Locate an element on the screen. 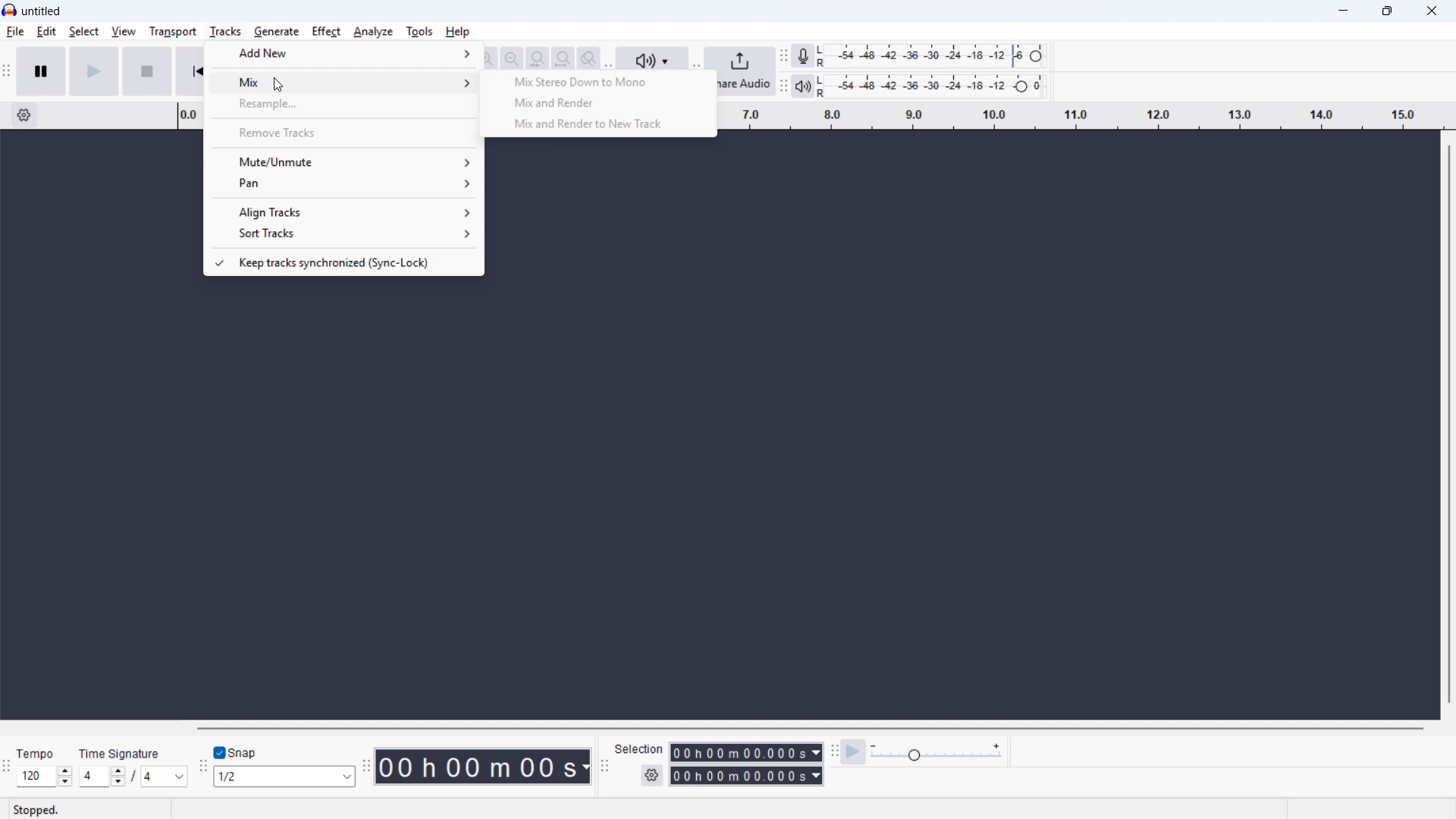 Image resolution: width=1456 pixels, height=819 pixels. Selection toolbar  is located at coordinates (605, 767).